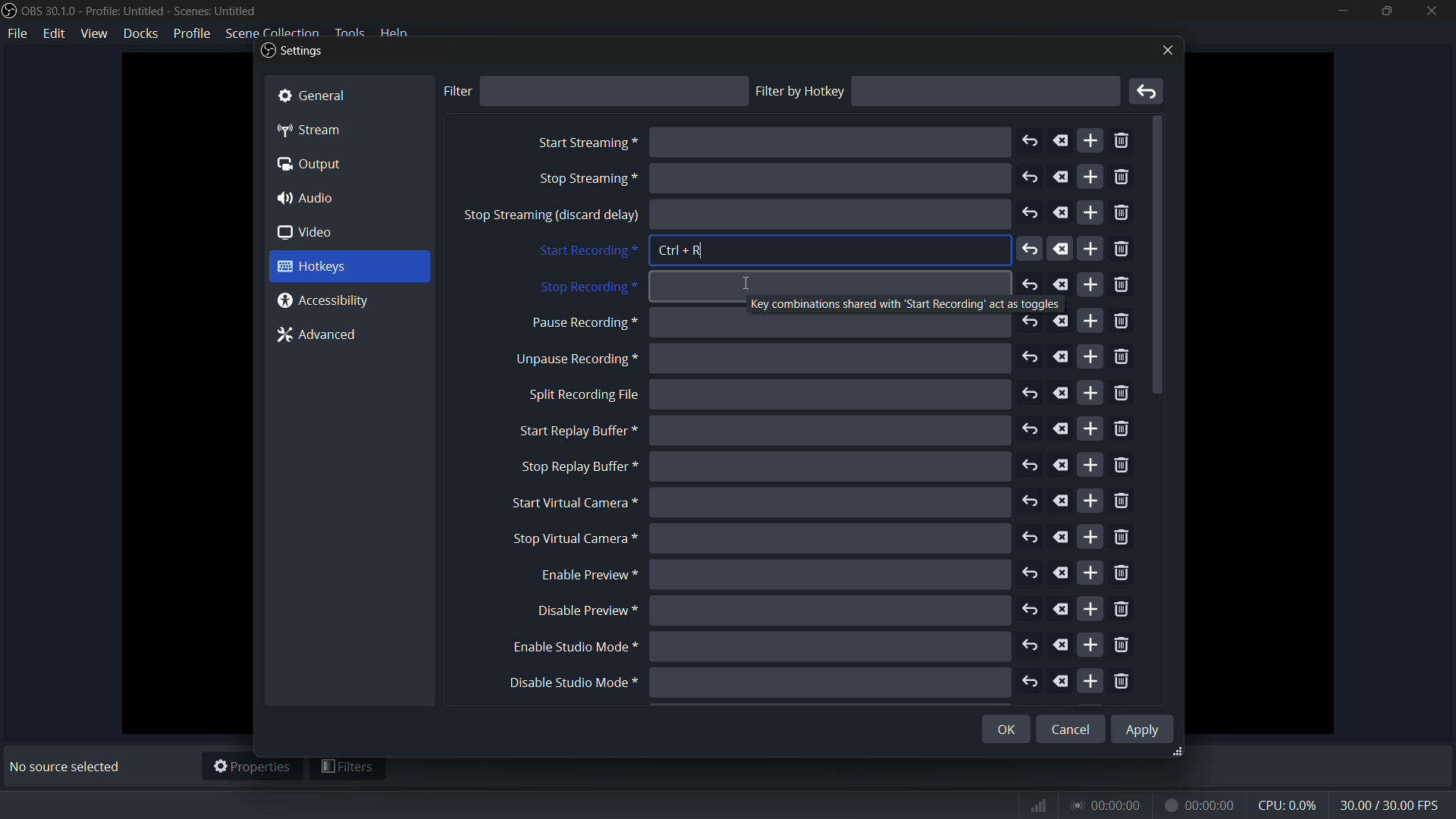 This screenshot has height=819, width=1456. What do you see at coordinates (312, 166) in the screenshot?
I see `(a Output` at bounding box center [312, 166].